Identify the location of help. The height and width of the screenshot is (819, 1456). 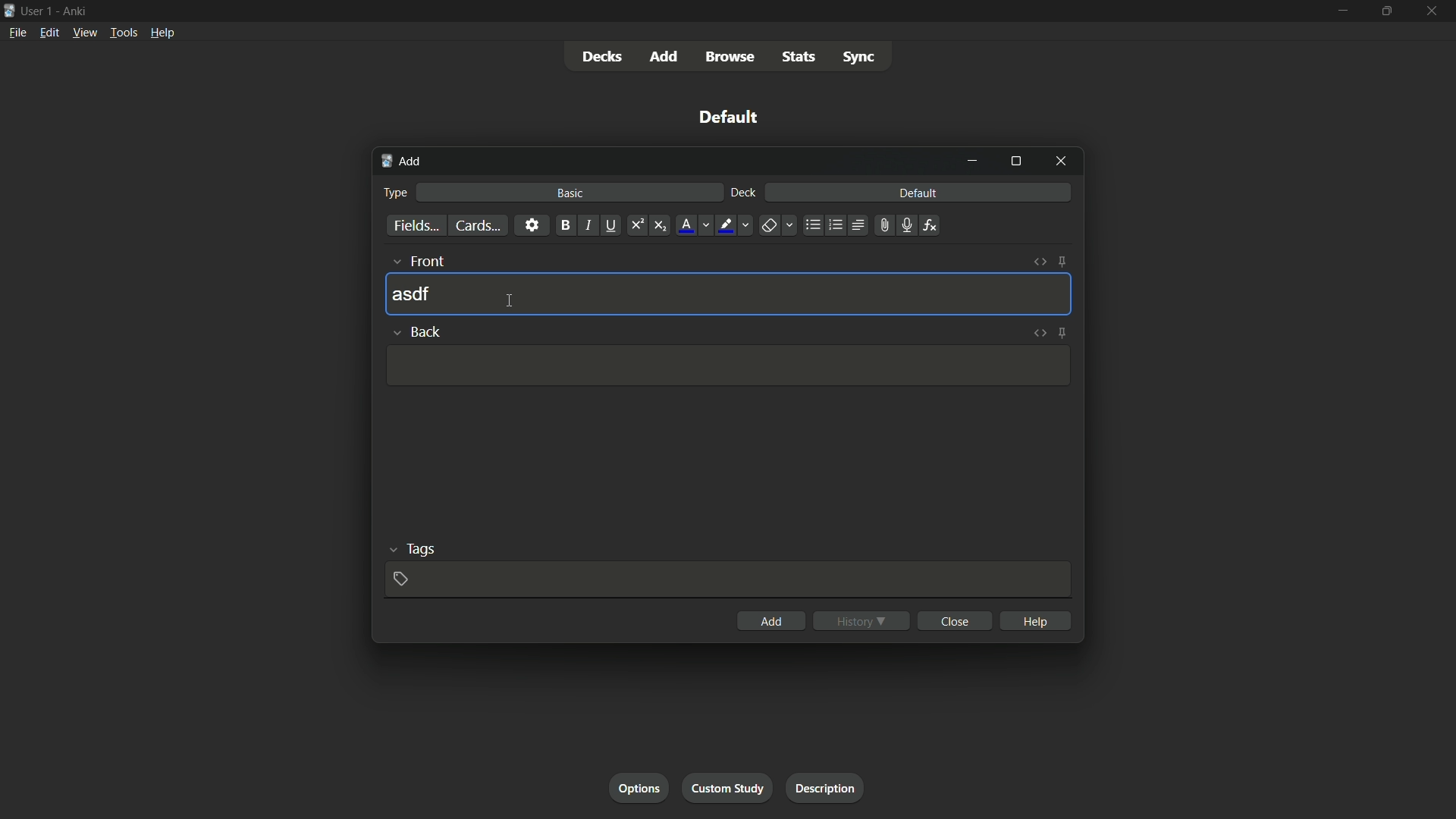
(1036, 621).